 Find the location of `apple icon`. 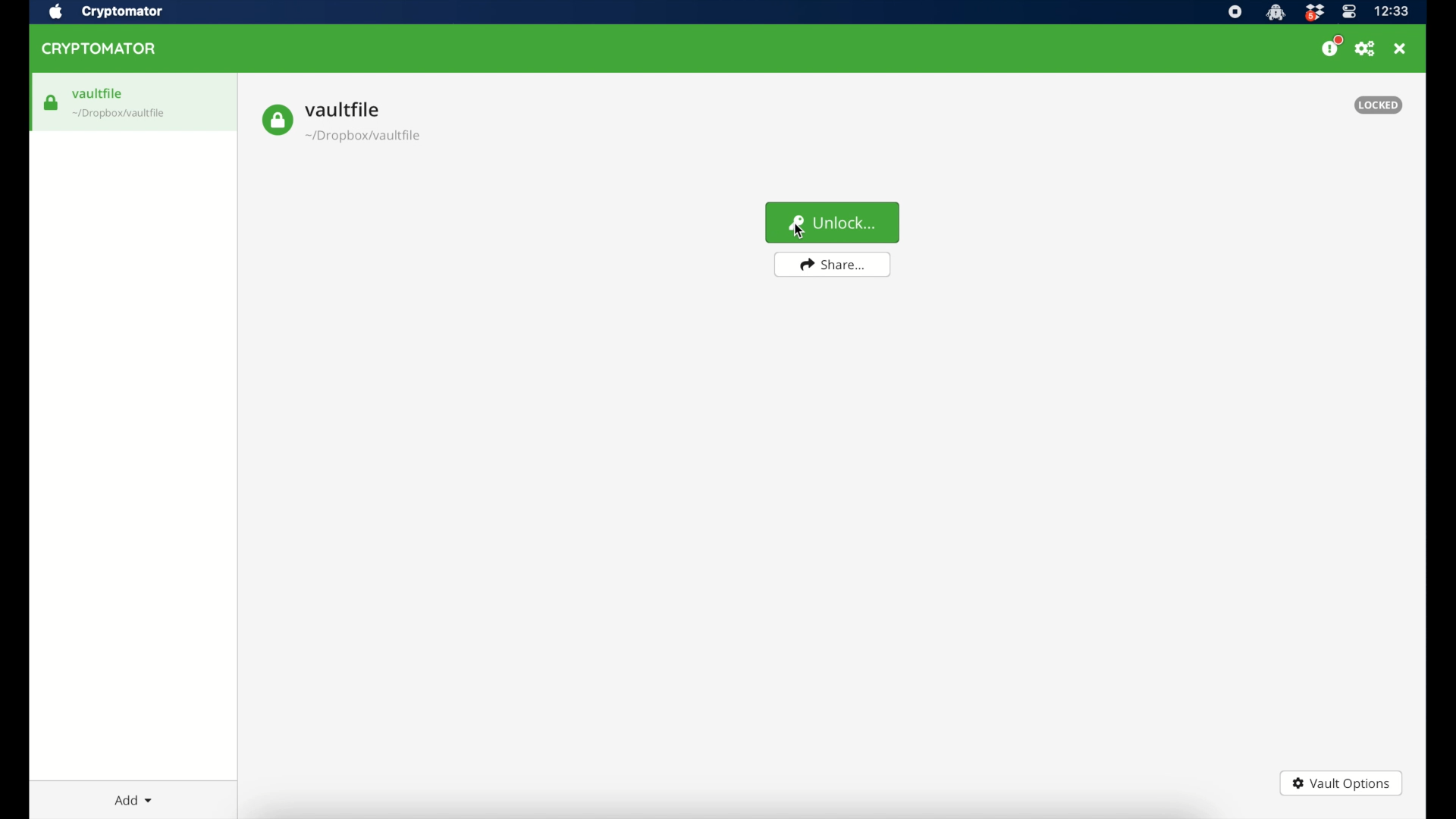

apple icon is located at coordinates (55, 11).